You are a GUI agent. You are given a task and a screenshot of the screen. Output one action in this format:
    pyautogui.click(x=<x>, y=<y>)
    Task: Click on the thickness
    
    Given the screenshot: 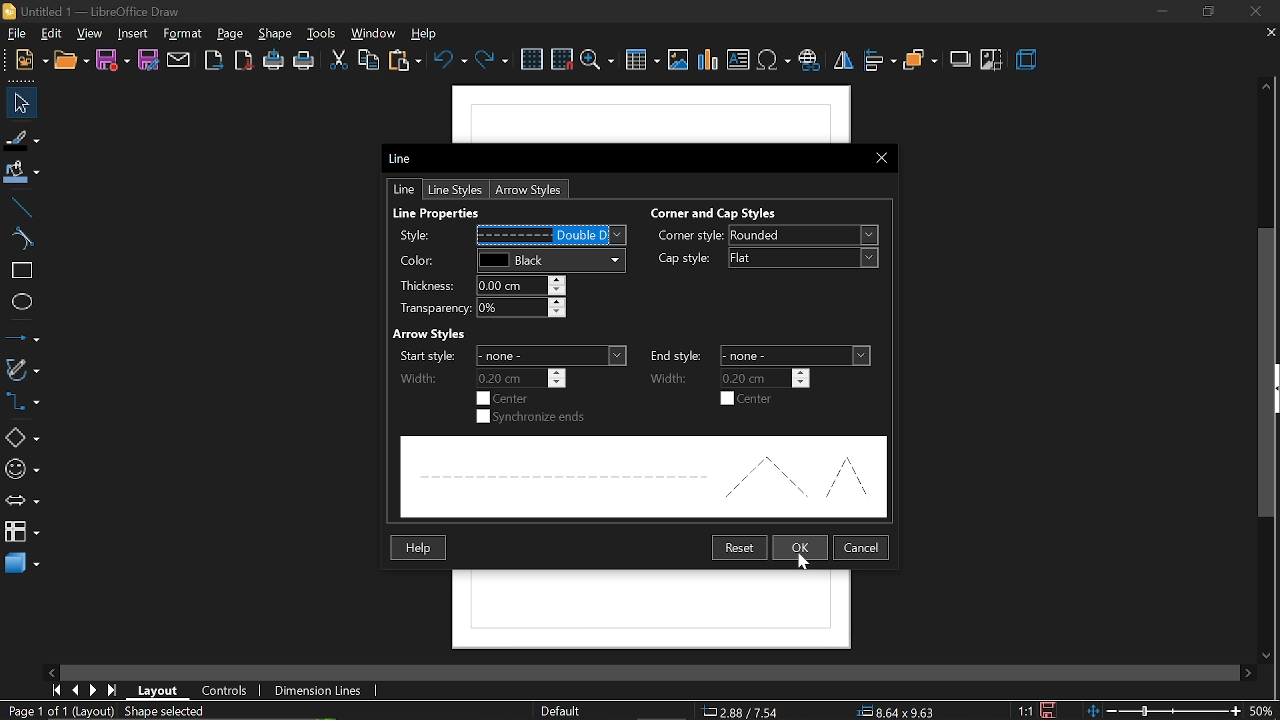 What is the action you would take?
    pyautogui.click(x=479, y=285)
    